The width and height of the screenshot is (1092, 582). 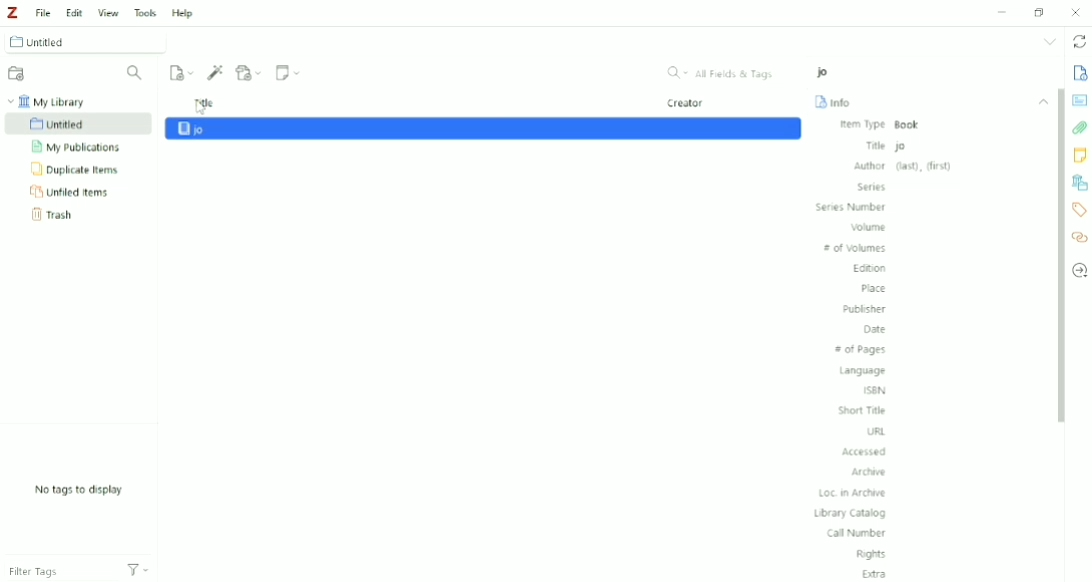 What do you see at coordinates (902, 166) in the screenshot?
I see `Author` at bounding box center [902, 166].